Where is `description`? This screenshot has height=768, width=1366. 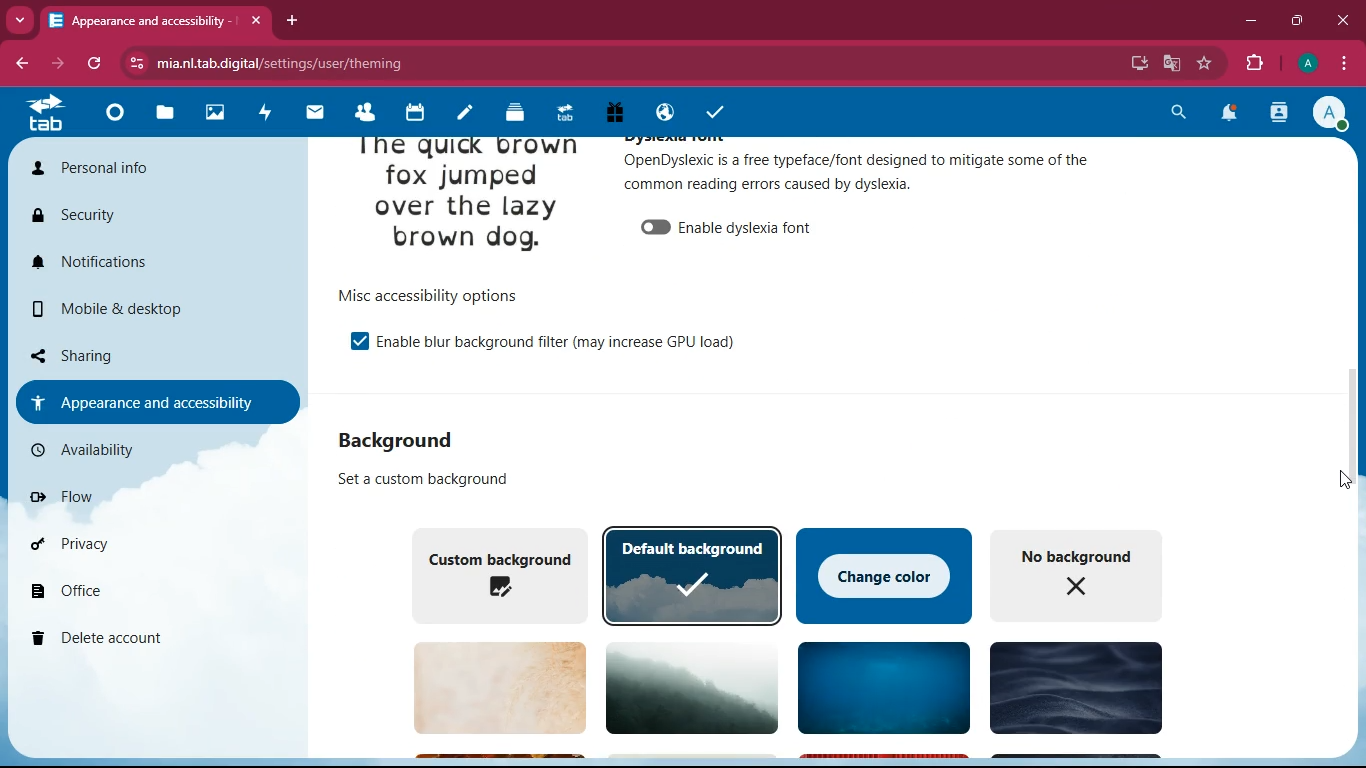 description is located at coordinates (859, 171).